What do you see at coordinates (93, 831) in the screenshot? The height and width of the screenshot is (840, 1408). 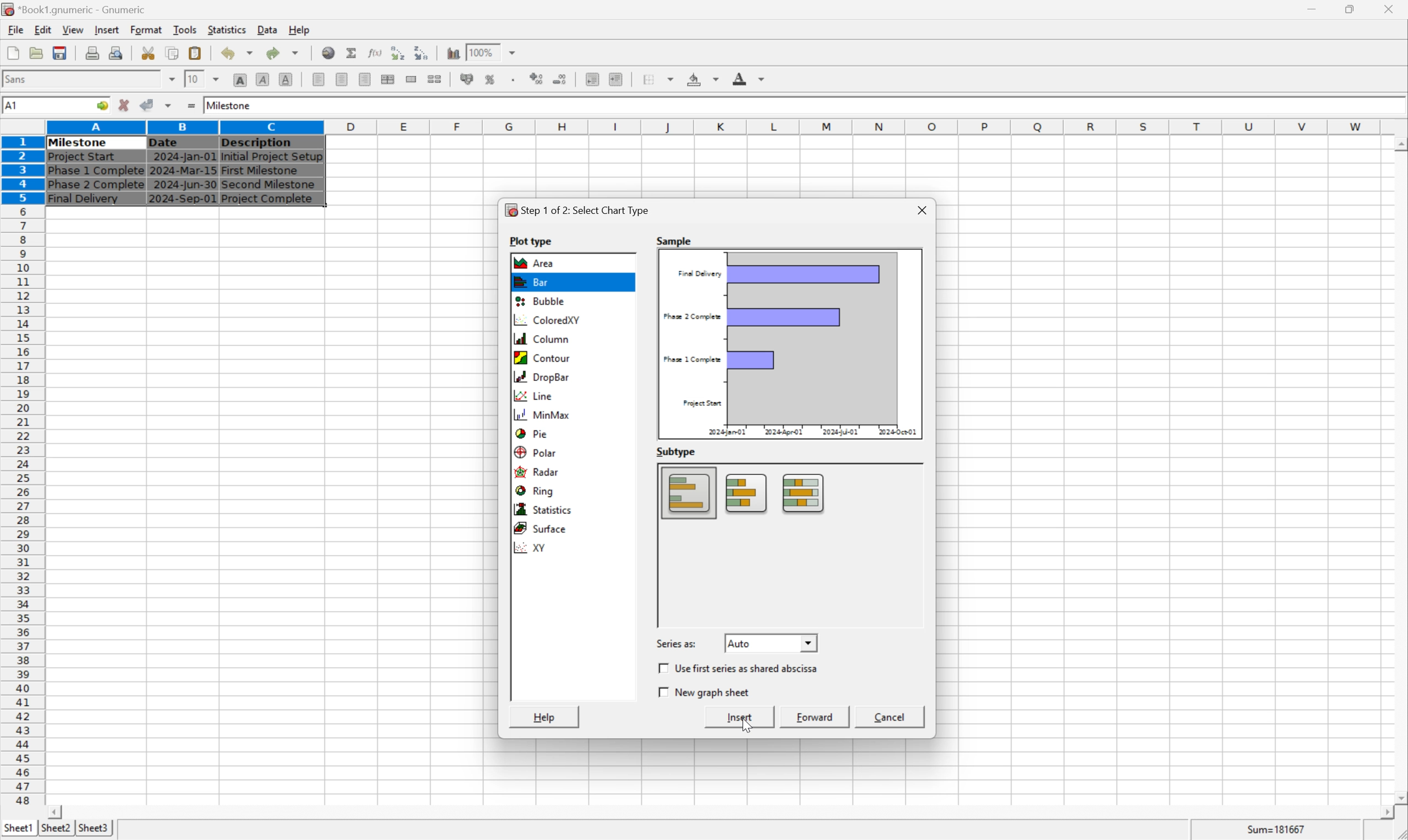 I see `sheet3` at bounding box center [93, 831].